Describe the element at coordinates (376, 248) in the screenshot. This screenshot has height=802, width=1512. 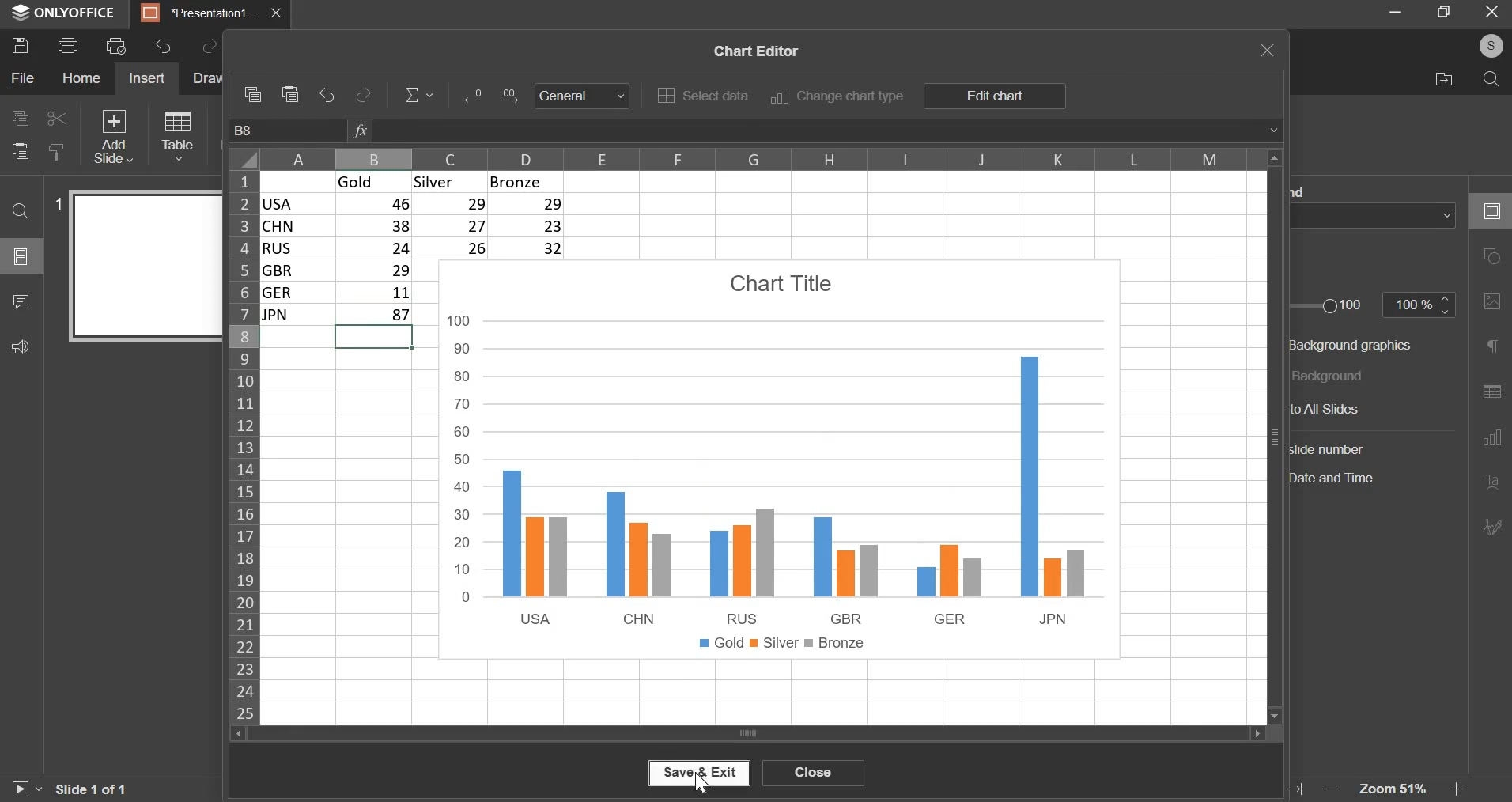
I see `24` at that location.